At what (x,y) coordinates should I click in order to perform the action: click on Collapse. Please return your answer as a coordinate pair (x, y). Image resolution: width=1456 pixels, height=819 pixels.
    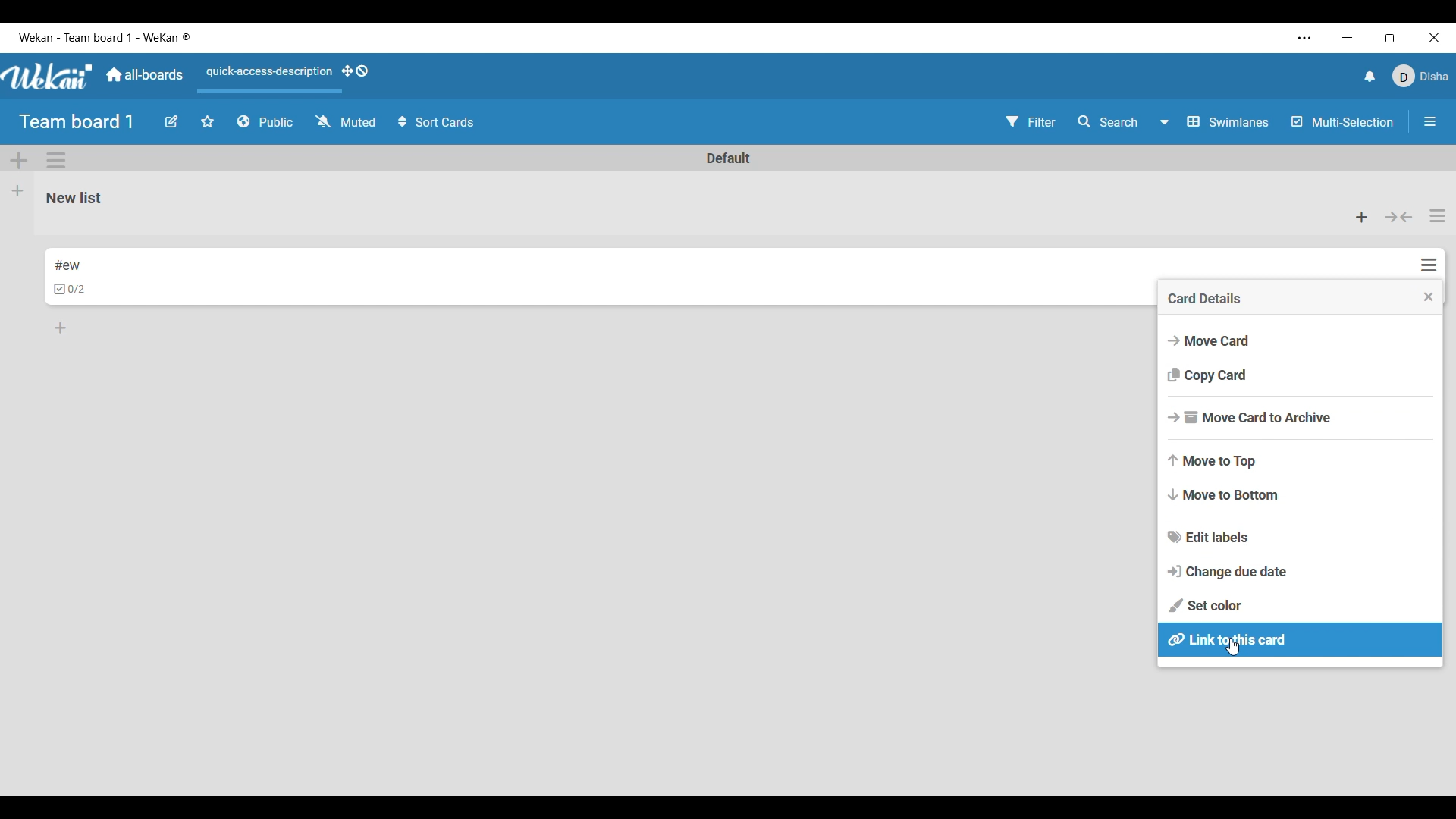
    Looking at the image, I should click on (1398, 218).